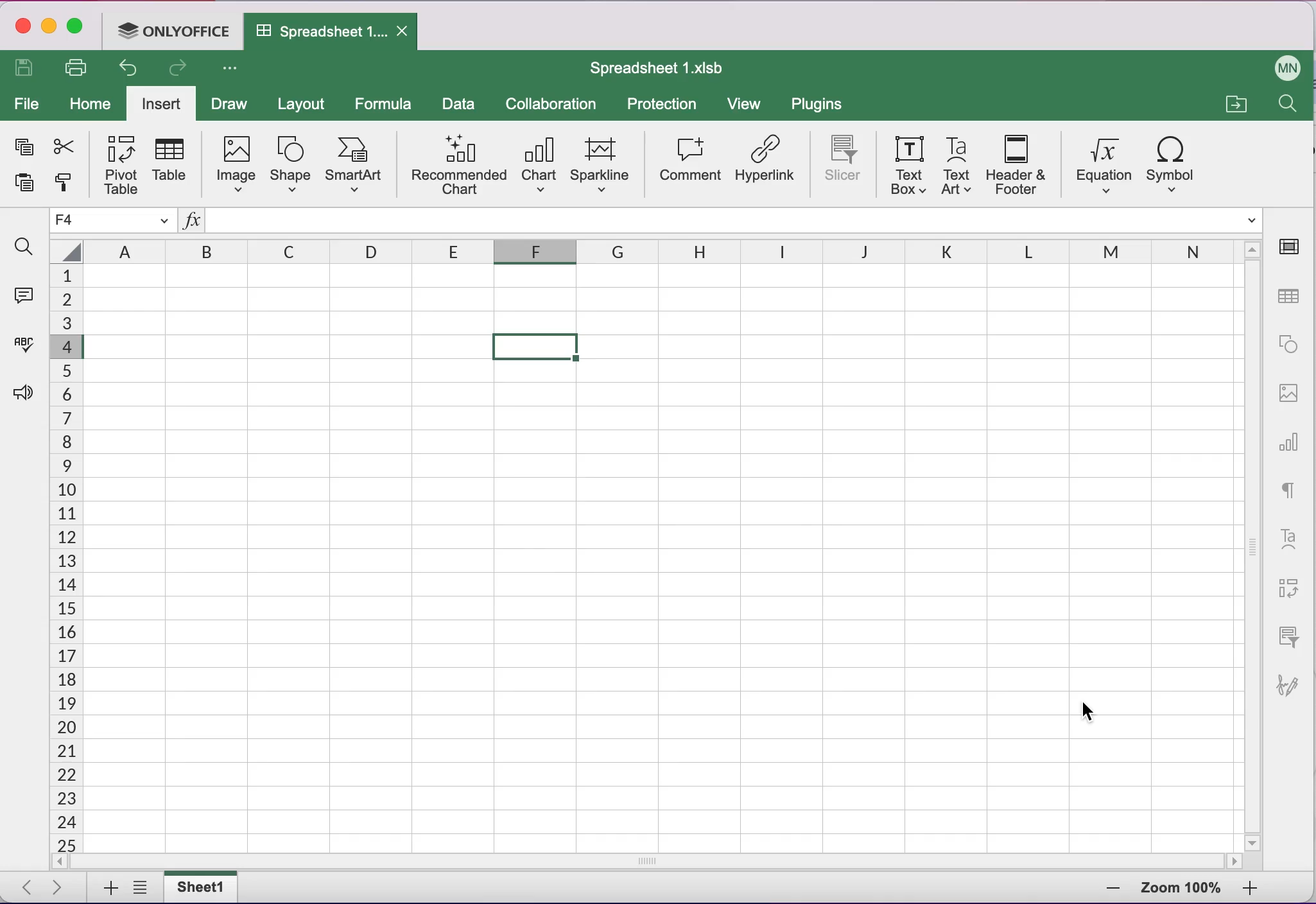 The image size is (1316, 904). What do you see at coordinates (1289, 471) in the screenshot?
I see `Side Toolbar` at bounding box center [1289, 471].